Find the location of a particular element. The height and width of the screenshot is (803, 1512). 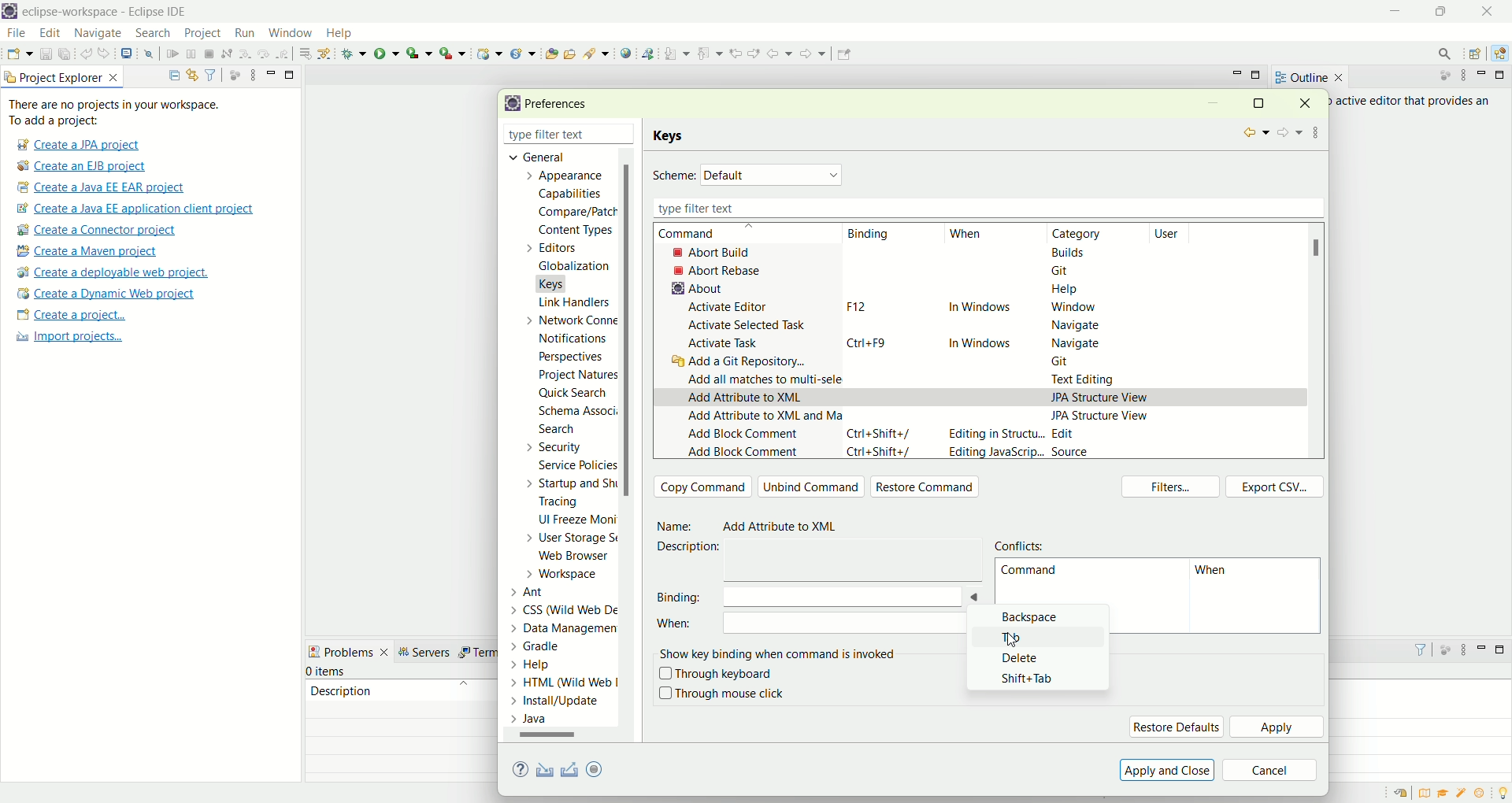

startup and shutdown is located at coordinates (574, 483).